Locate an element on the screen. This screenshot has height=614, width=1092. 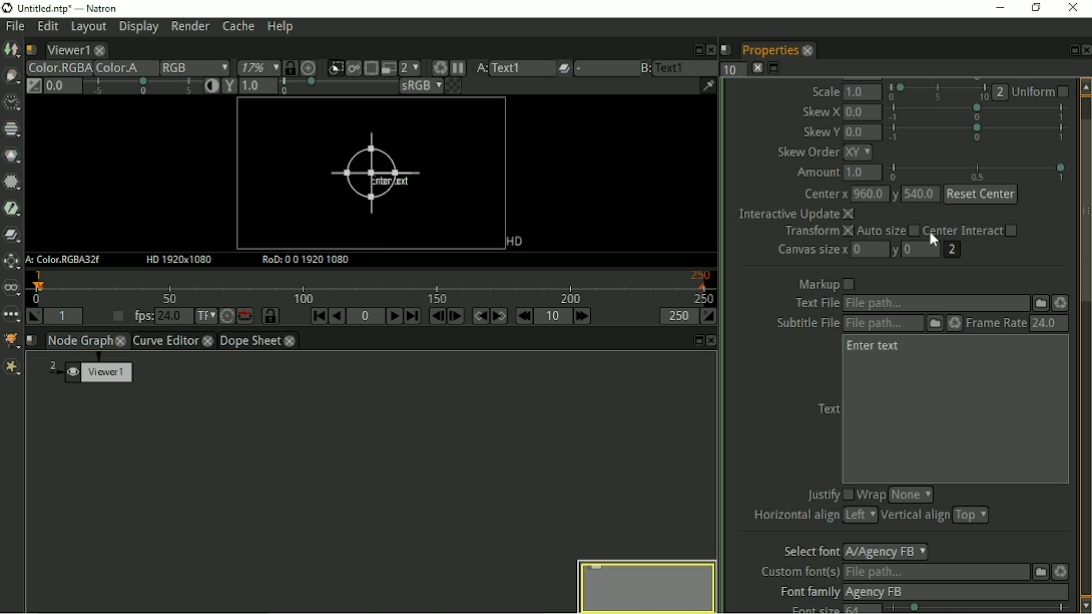
xy is located at coordinates (863, 153).